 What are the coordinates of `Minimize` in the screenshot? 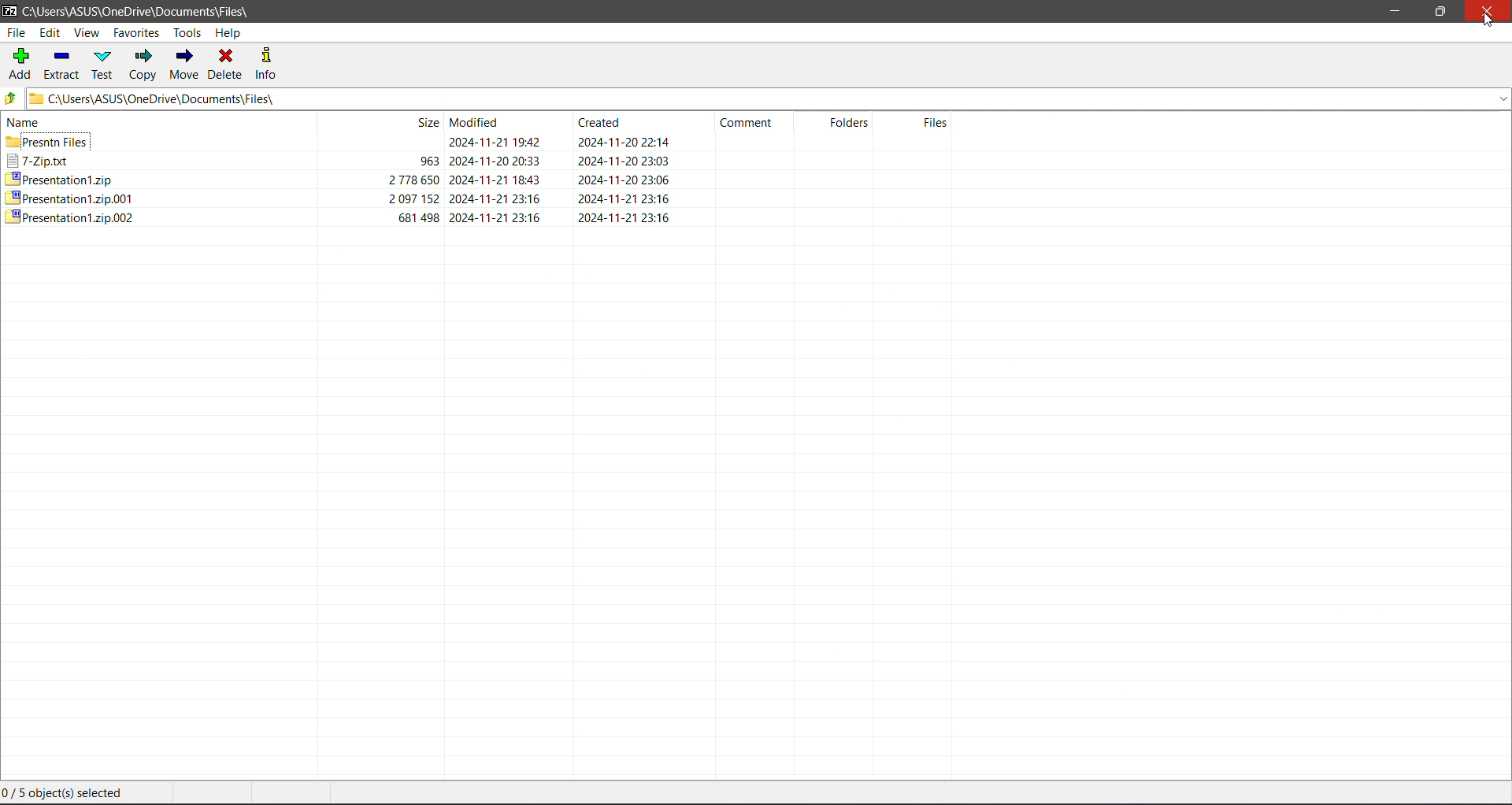 It's located at (1392, 9).